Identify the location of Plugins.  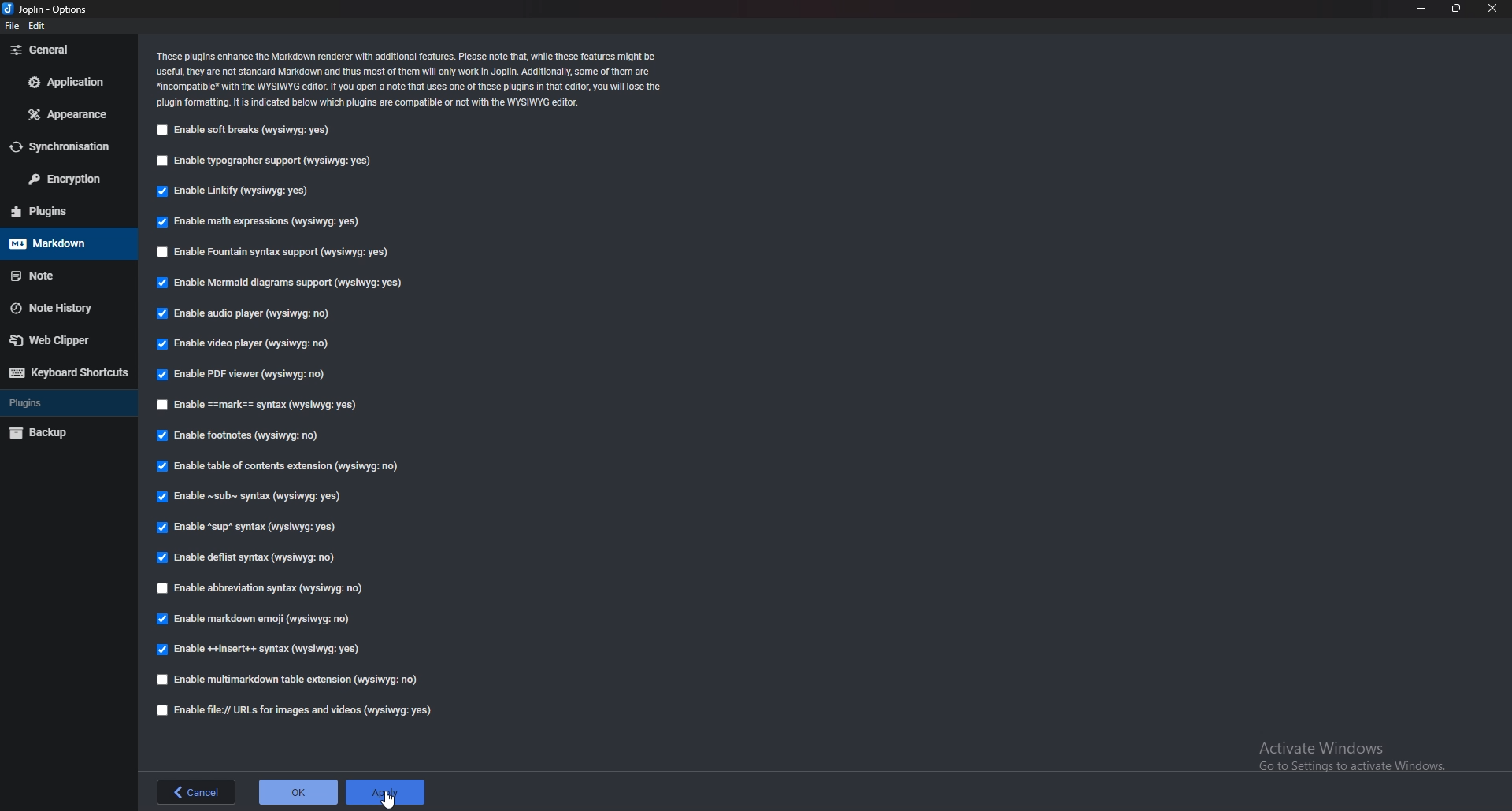
(59, 211).